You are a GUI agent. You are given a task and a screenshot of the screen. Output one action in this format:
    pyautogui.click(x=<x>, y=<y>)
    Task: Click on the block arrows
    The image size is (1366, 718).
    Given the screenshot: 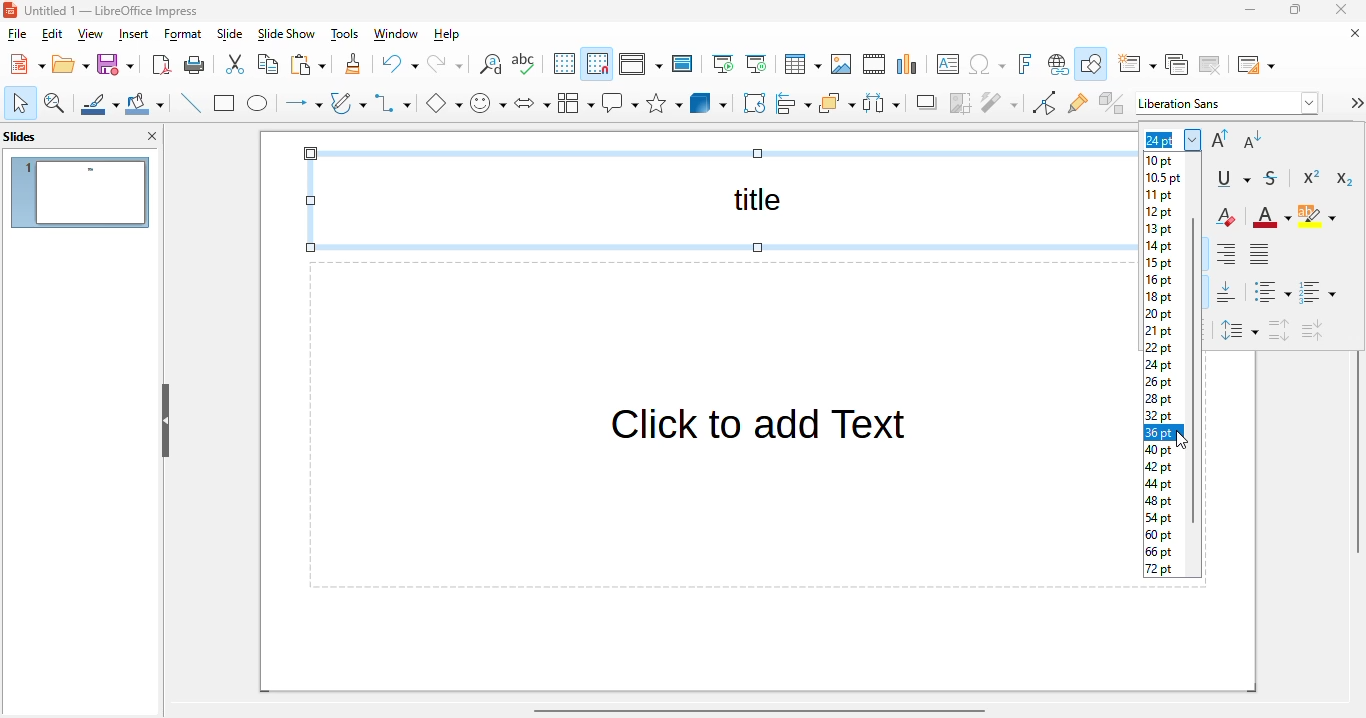 What is the action you would take?
    pyautogui.click(x=532, y=104)
    